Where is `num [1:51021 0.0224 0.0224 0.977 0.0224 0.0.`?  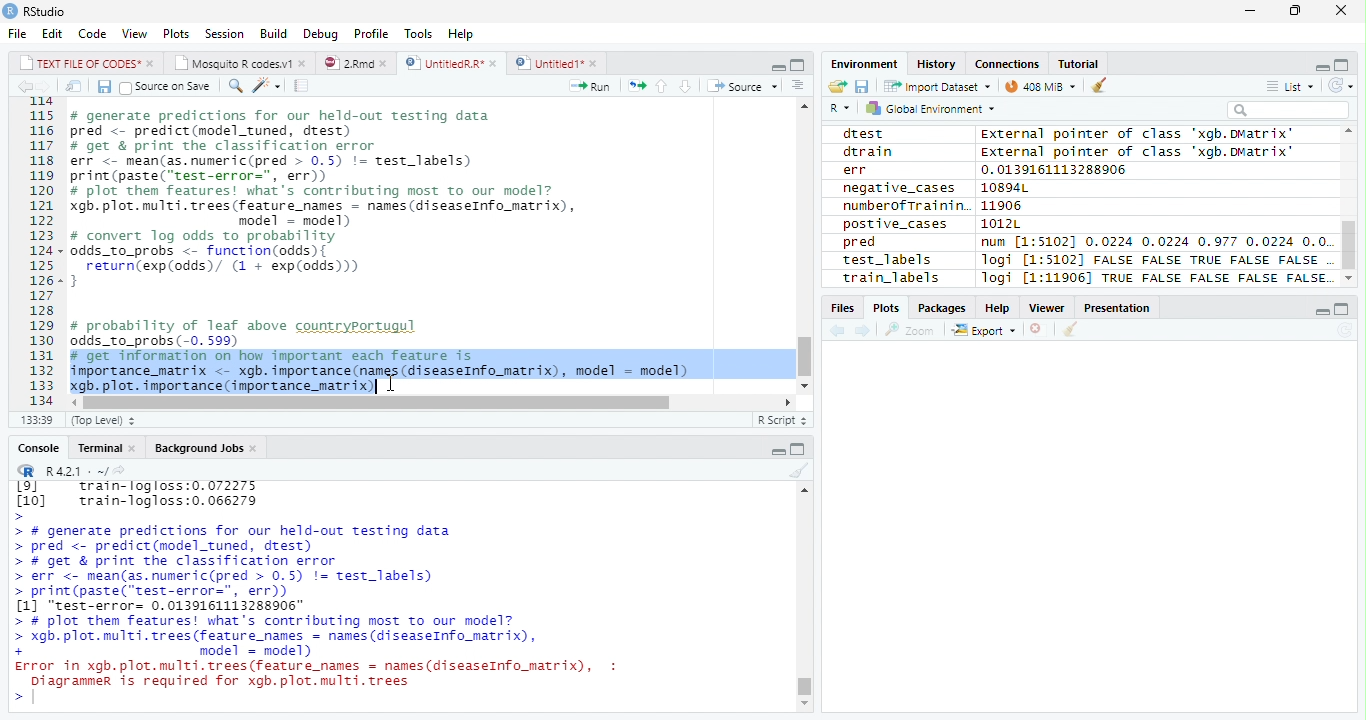 num [1:51021 0.0224 0.0224 0.977 0.0224 0.0. is located at coordinates (1155, 240).